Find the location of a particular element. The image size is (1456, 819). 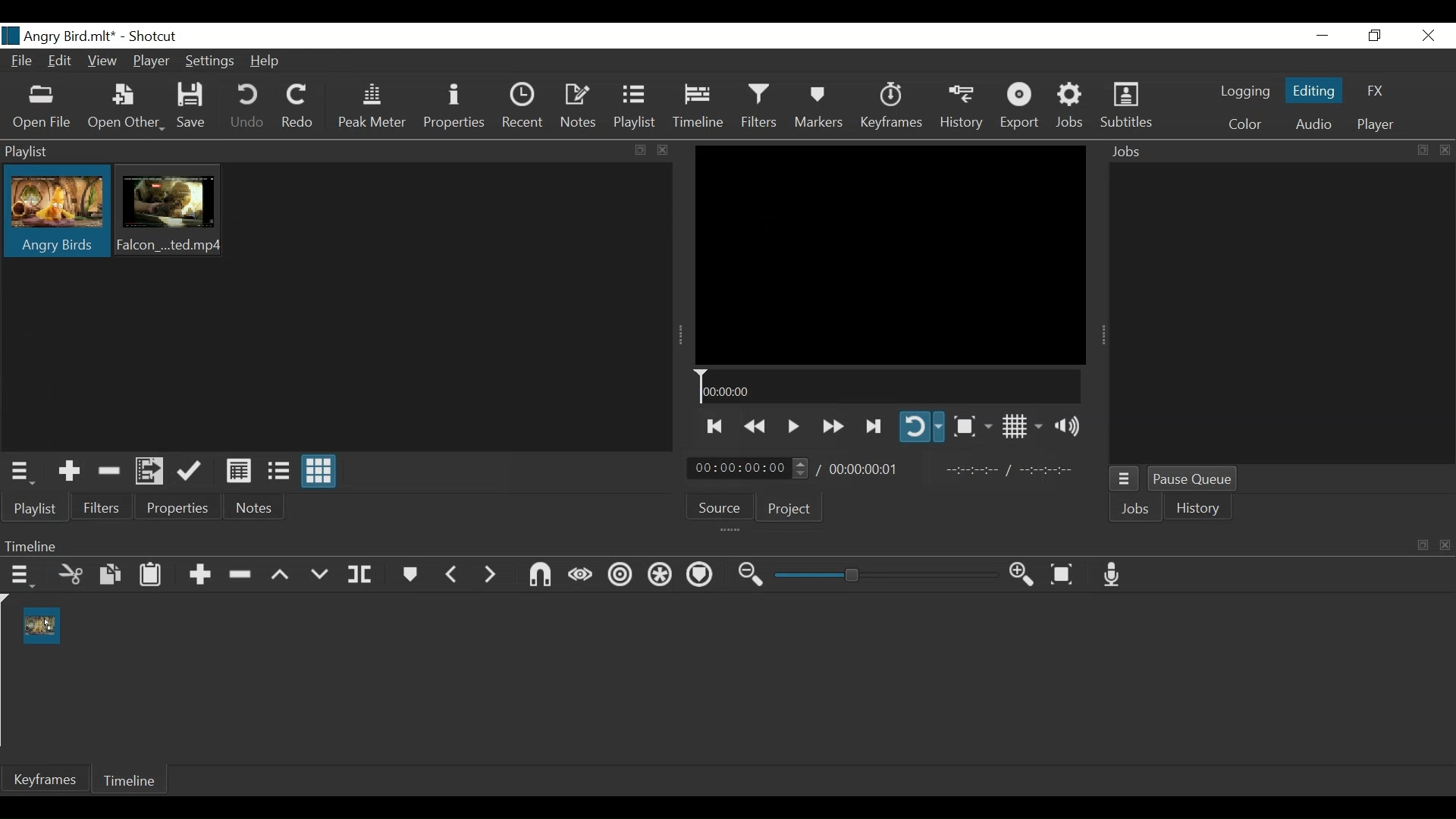

Previous marker is located at coordinates (453, 574).